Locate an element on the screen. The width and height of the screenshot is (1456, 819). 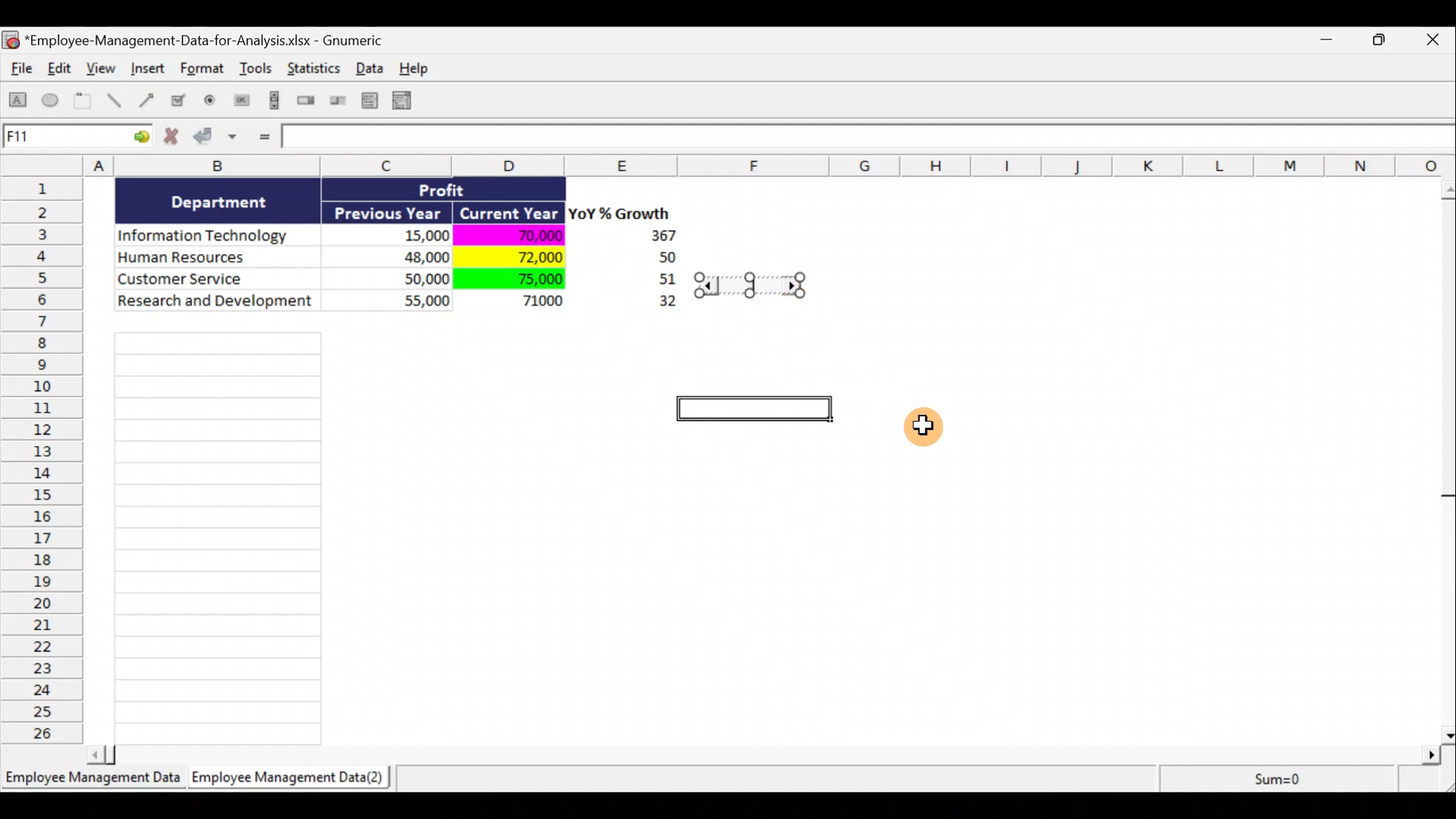
Columns is located at coordinates (733, 165).